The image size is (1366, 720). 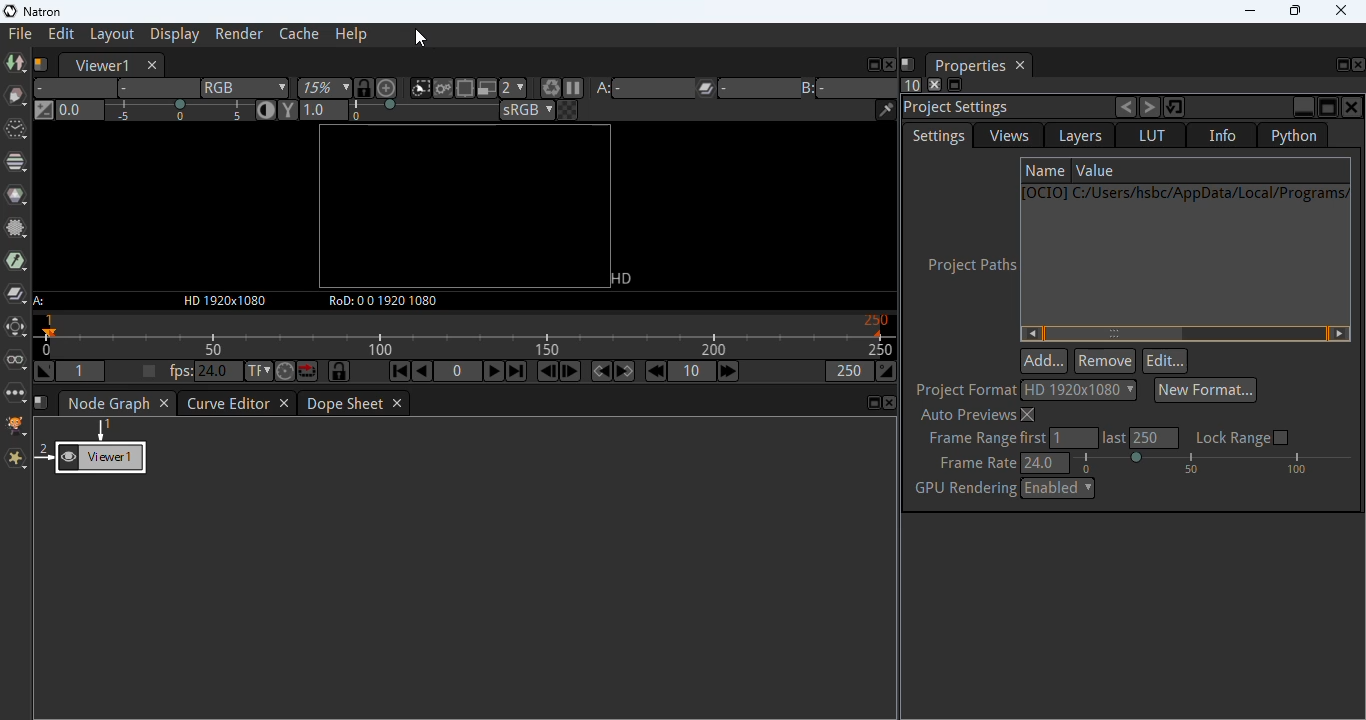 I want to click on switch between "neutral" 1.0 gain f-stop and the previous setting., so click(x=44, y=111).